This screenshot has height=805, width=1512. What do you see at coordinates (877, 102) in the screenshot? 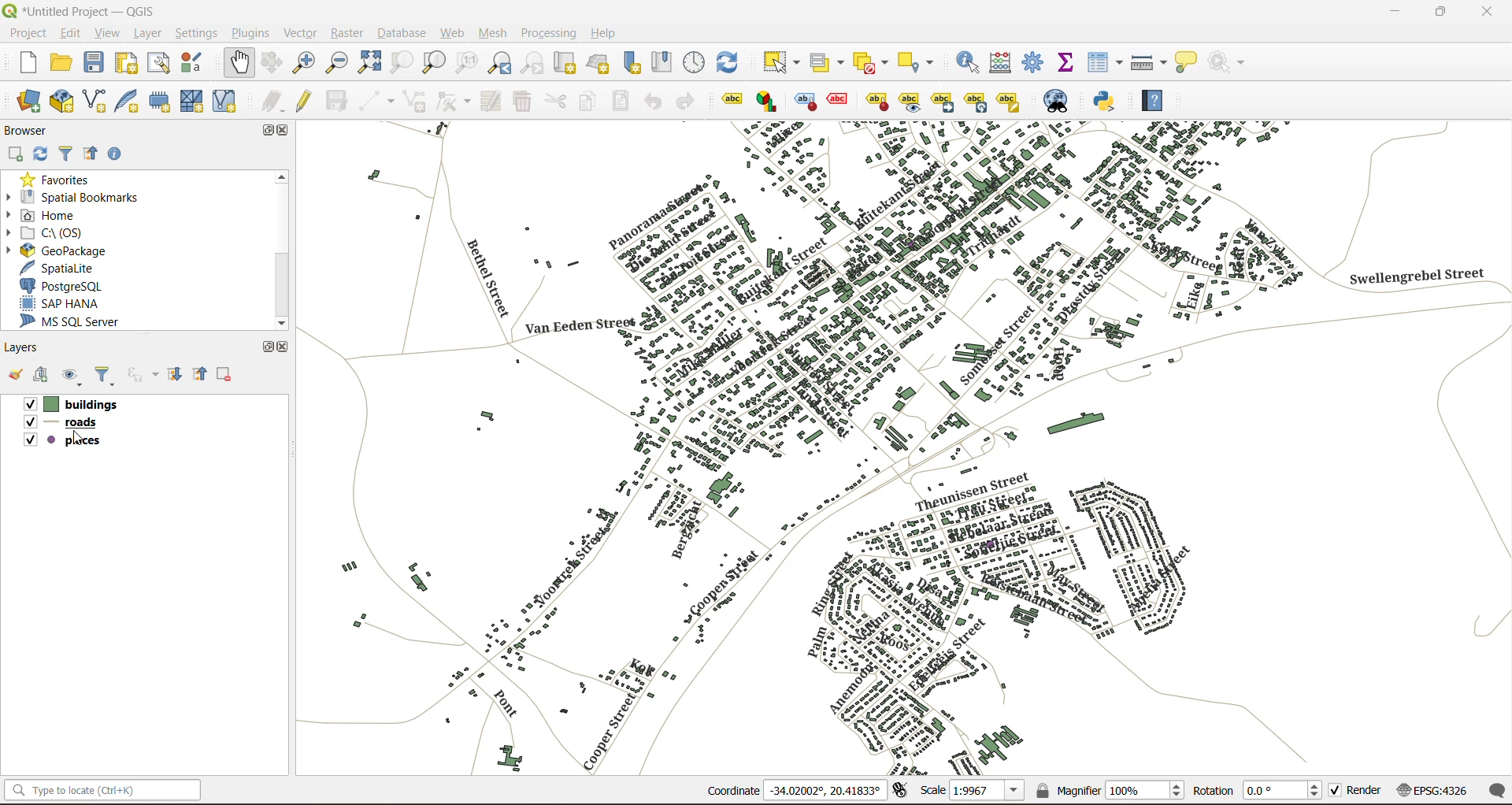
I see `pin\unpin labels and diagrams` at bounding box center [877, 102].